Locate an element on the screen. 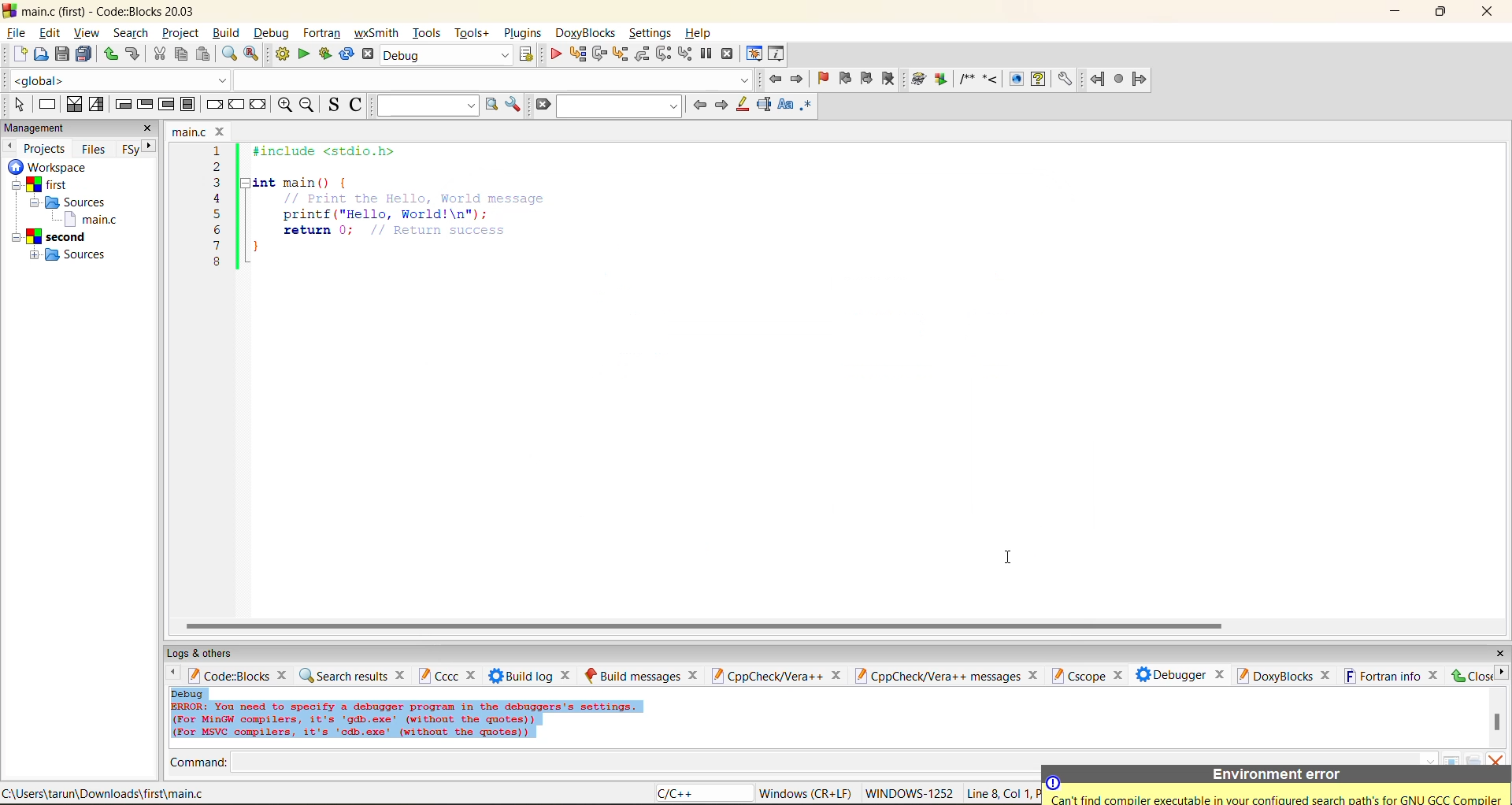  clear is located at coordinates (542, 105).